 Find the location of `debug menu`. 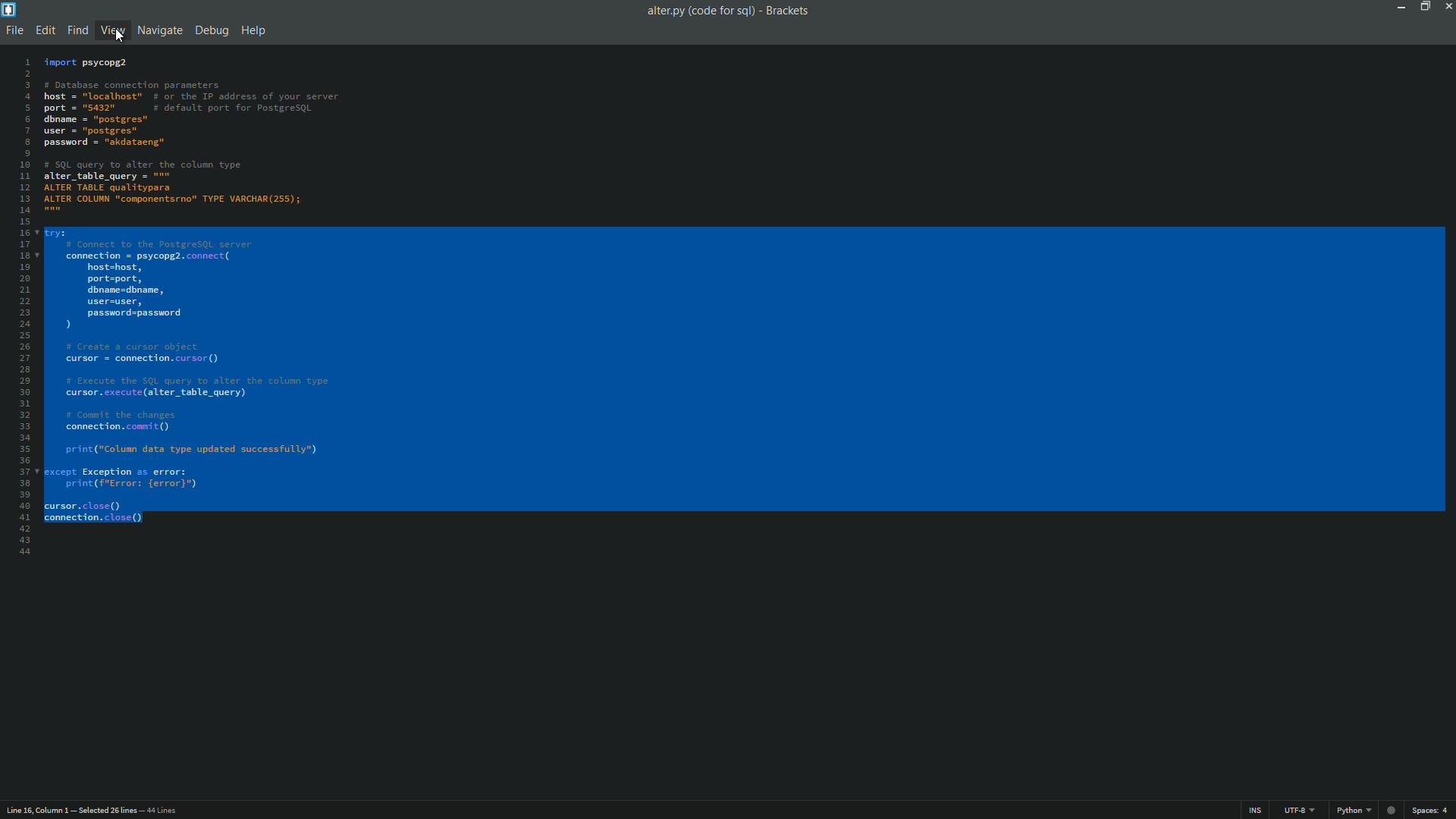

debug menu is located at coordinates (209, 31).